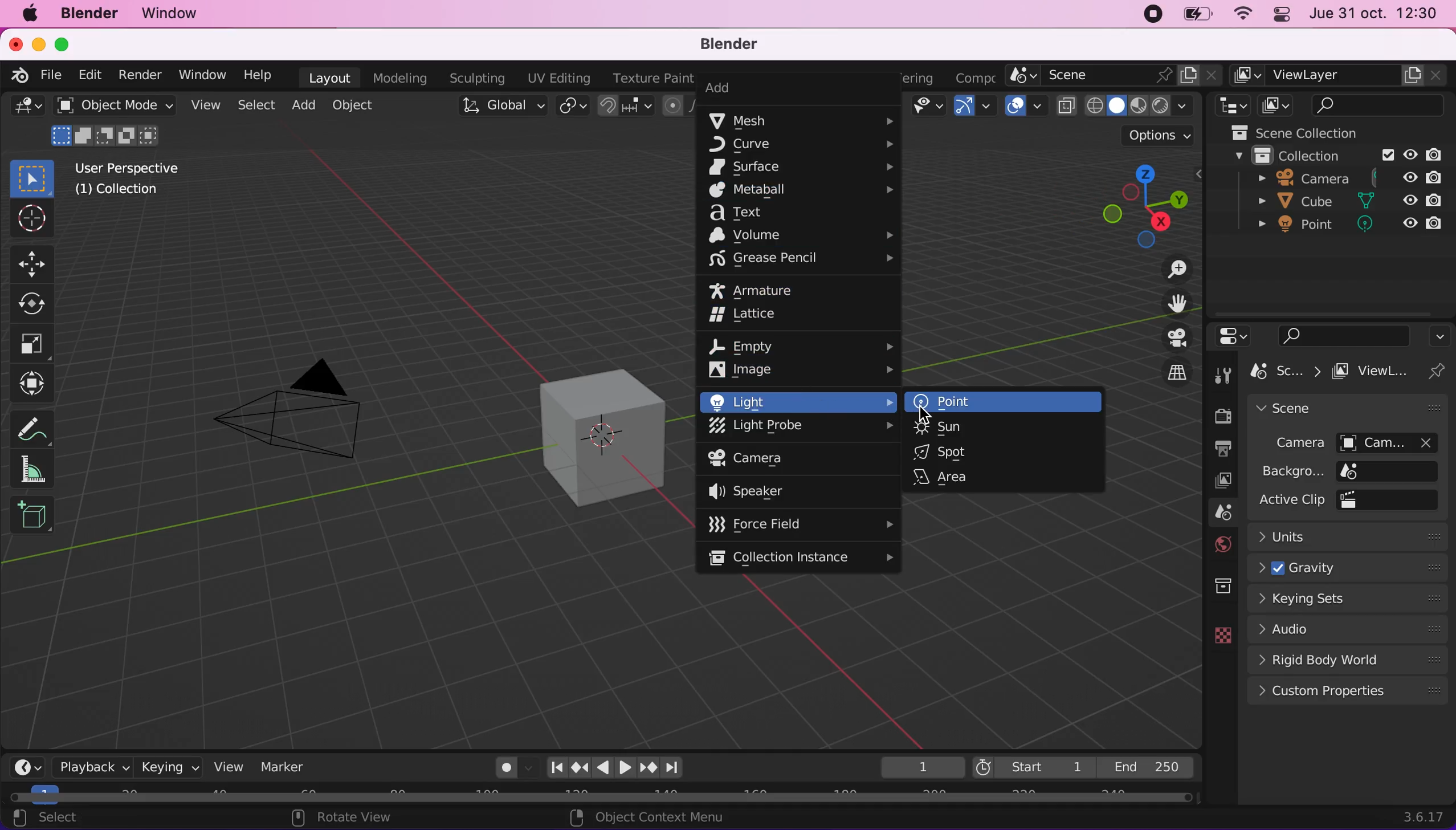 This screenshot has height=830, width=1456. What do you see at coordinates (636, 817) in the screenshot?
I see `set 3d cursor` at bounding box center [636, 817].